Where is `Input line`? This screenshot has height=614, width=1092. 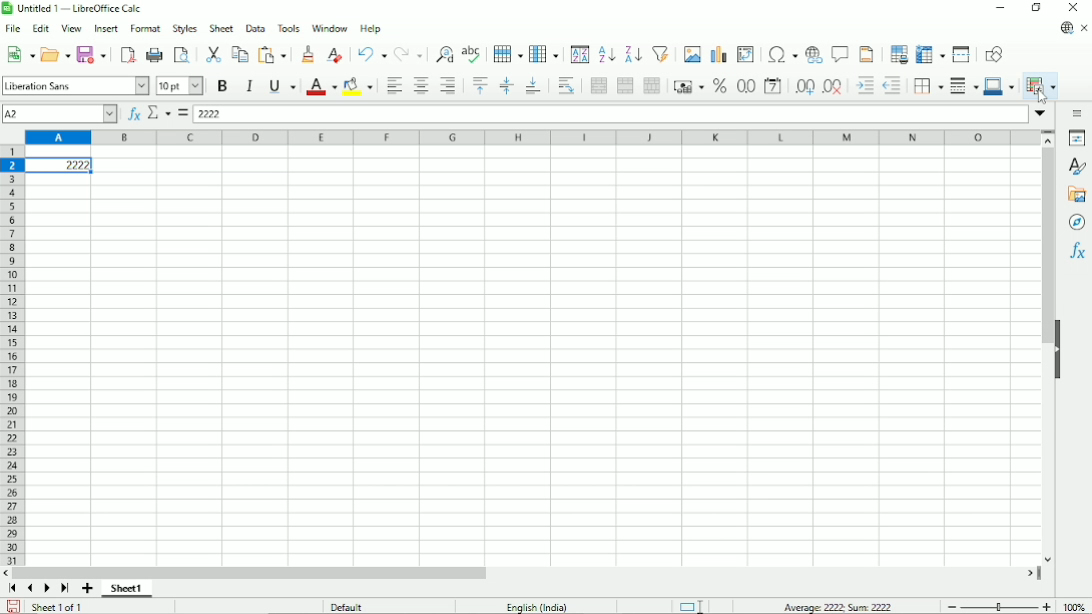
Input line is located at coordinates (610, 114).